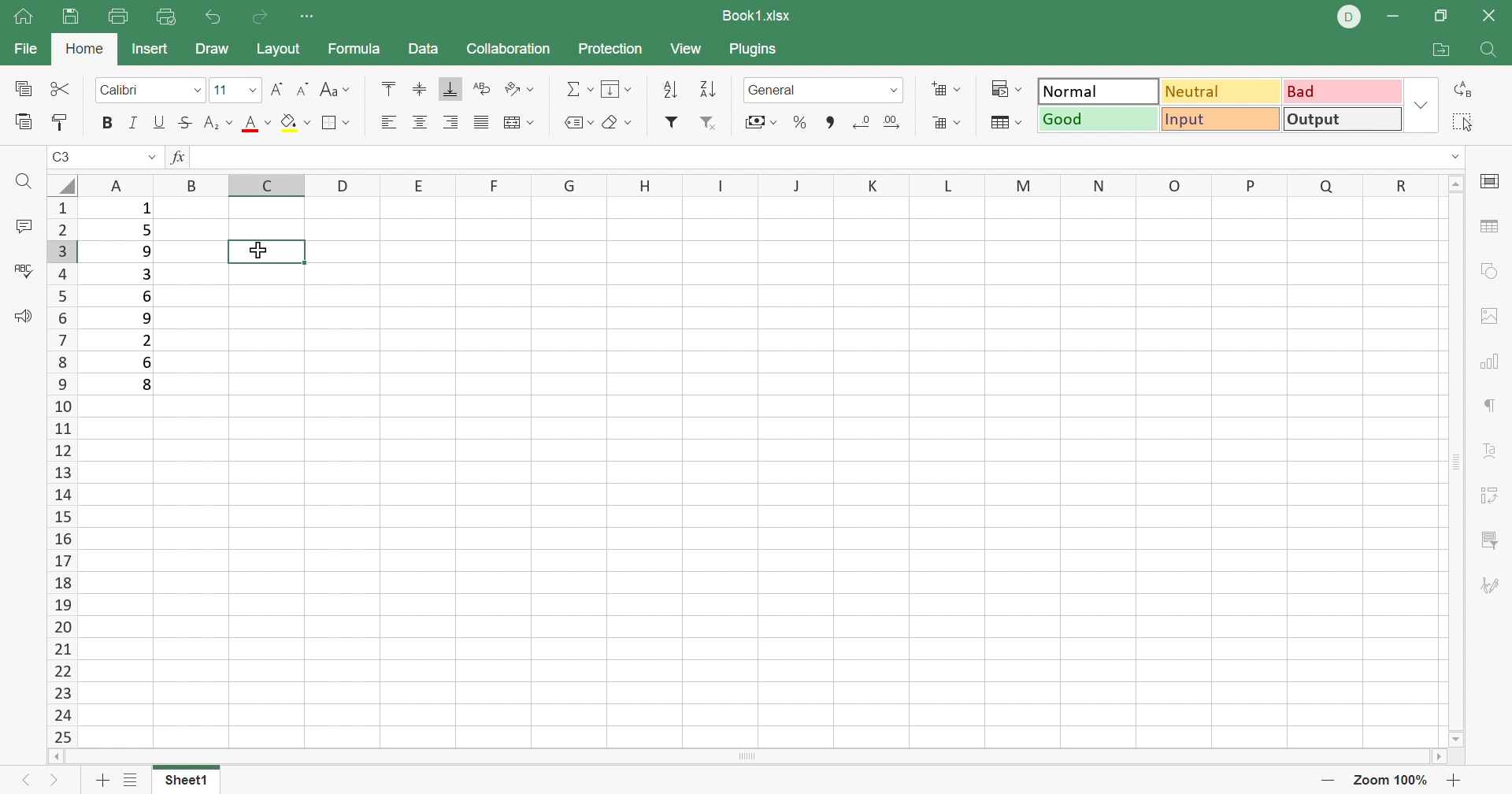 This screenshot has width=1512, height=794. What do you see at coordinates (447, 87) in the screenshot?
I see `Align bottom` at bounding box center [447, 87].